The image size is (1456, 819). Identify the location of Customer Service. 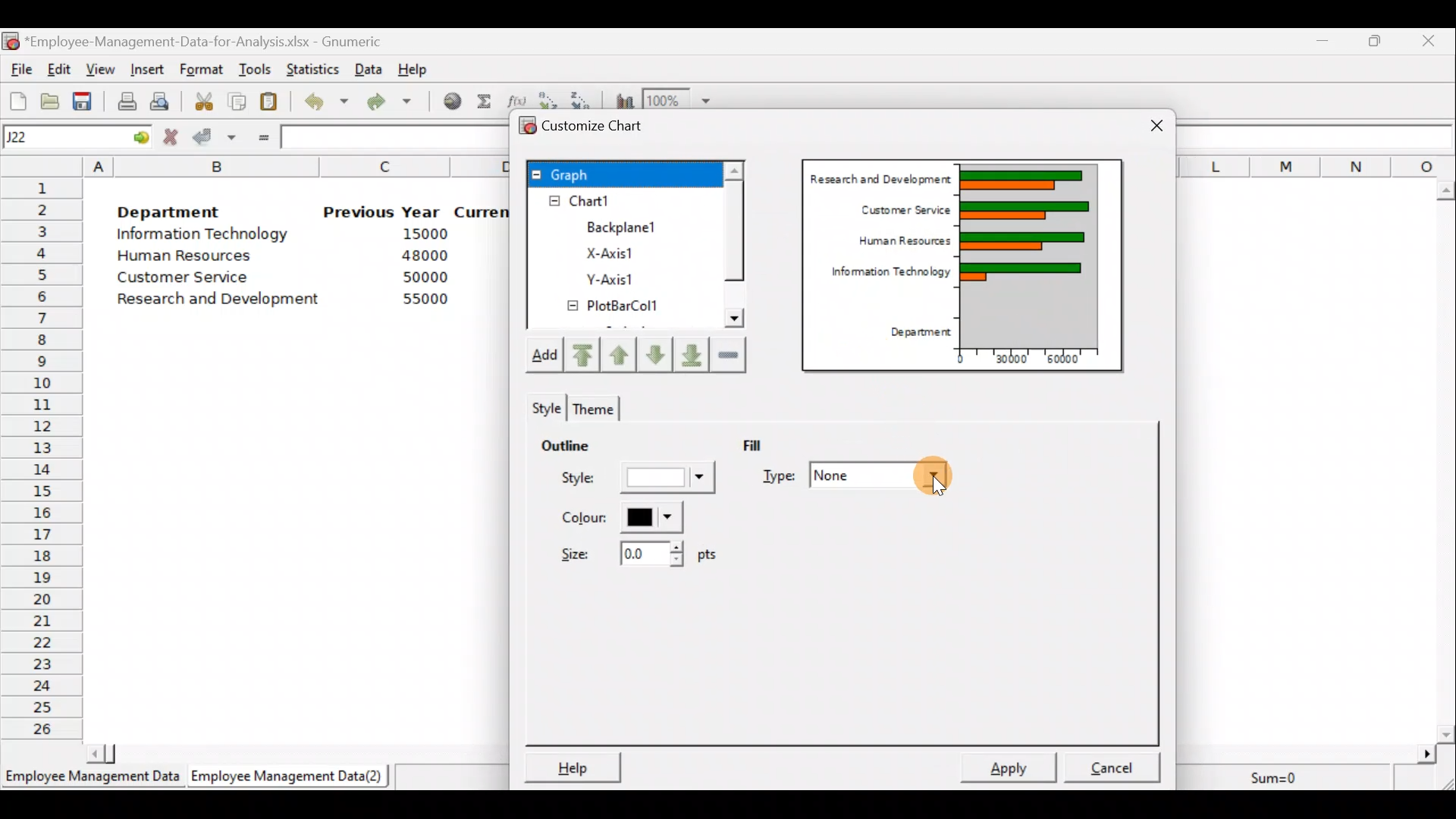
(176, 278).